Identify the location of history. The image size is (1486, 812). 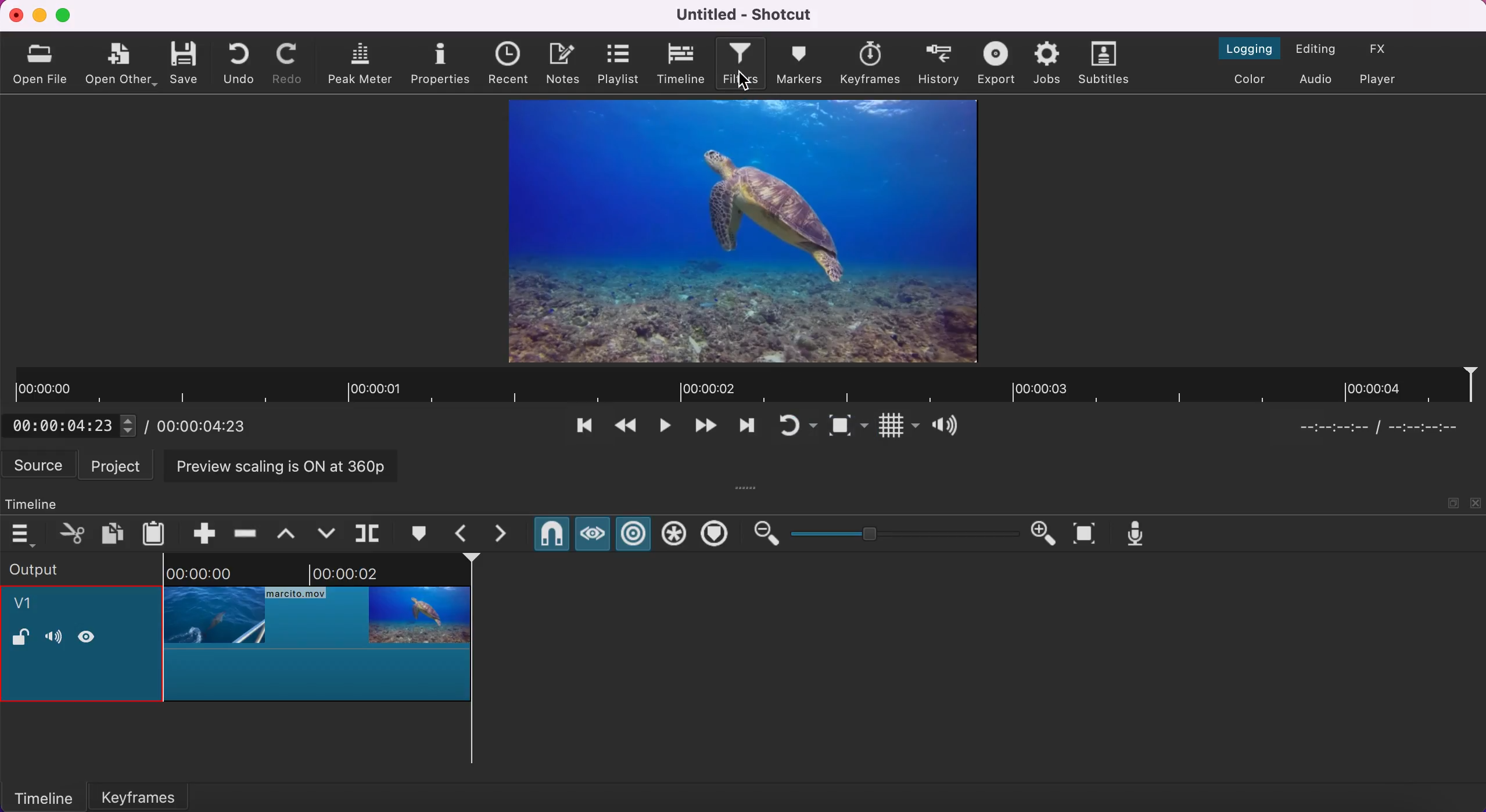
(940, 63).